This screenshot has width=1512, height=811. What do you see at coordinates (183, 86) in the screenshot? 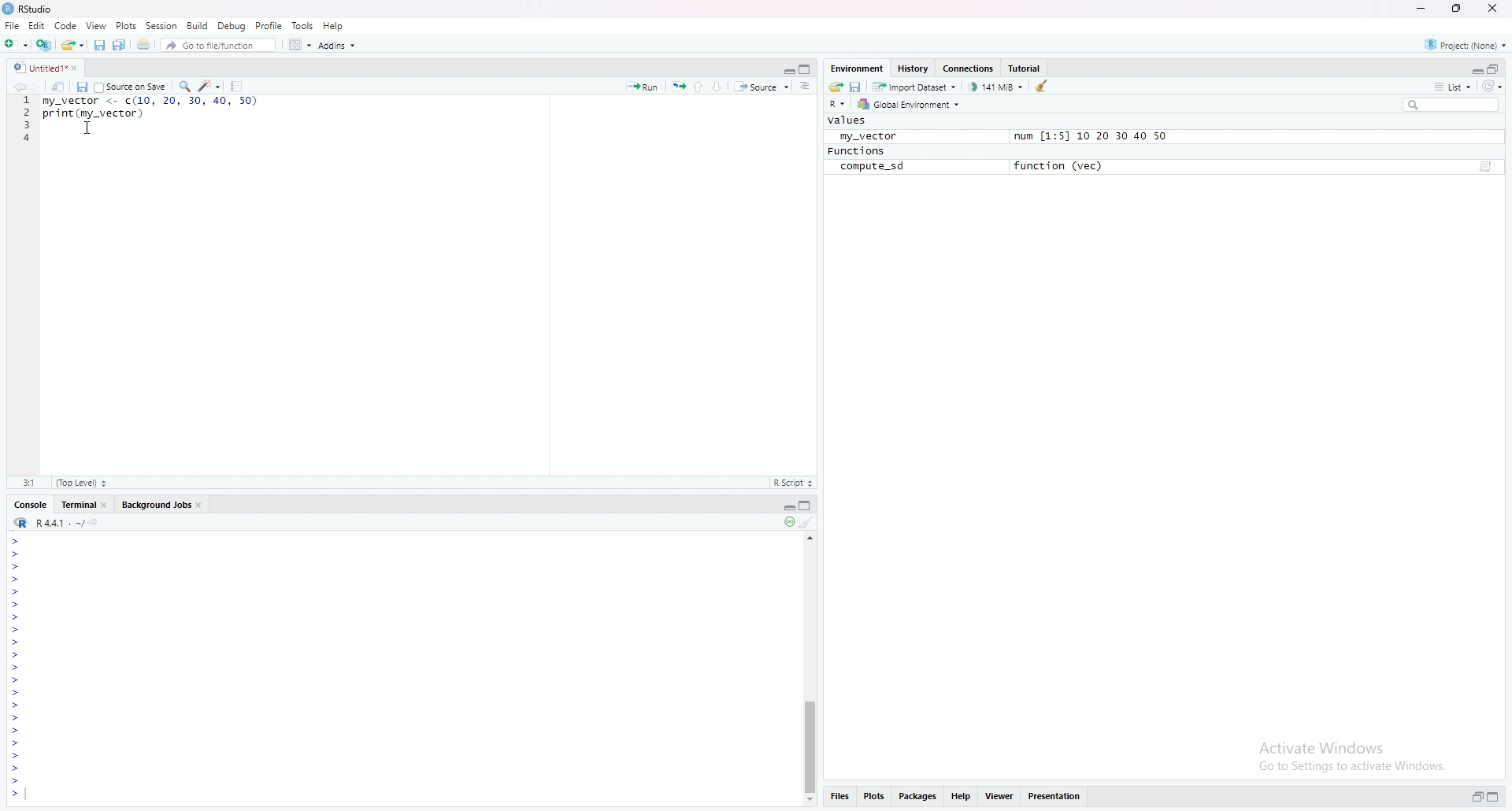
I see `Find and replace` at bounding box center [183, 86].